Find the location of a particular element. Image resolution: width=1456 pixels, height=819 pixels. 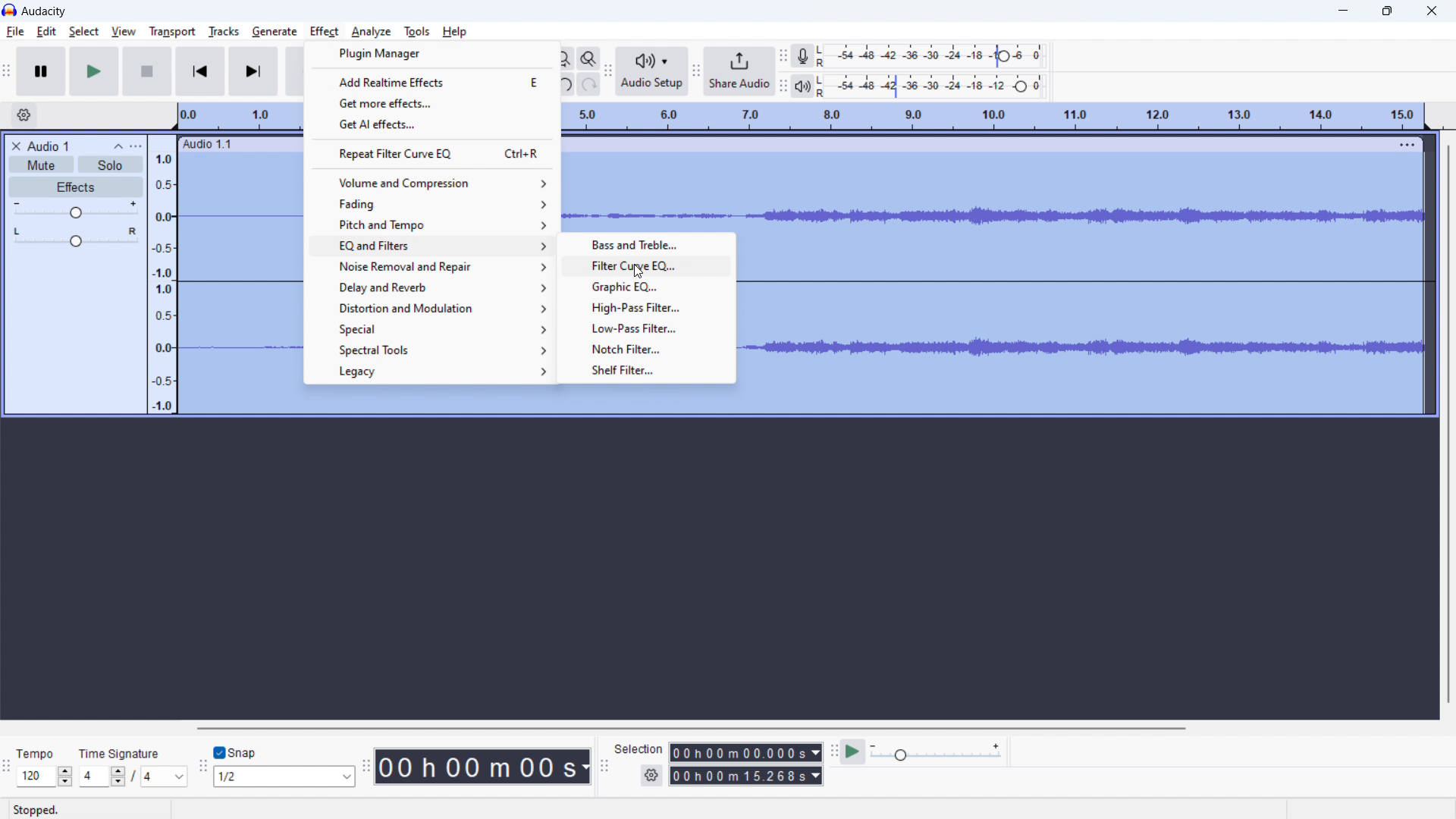

00h00m15.268s(end time) is located at coordinates (745, 776).